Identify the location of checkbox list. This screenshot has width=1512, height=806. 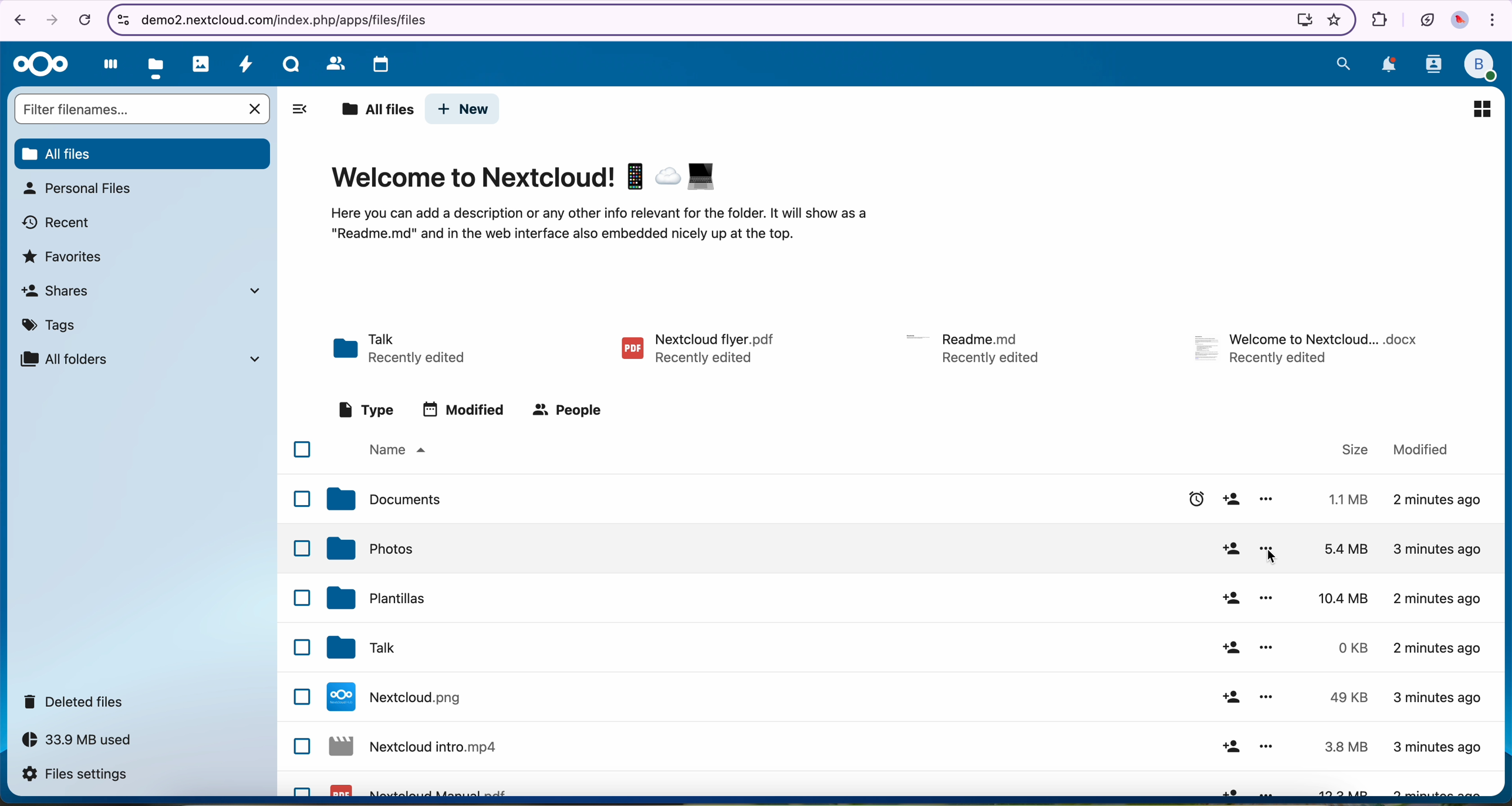
(298, 614).